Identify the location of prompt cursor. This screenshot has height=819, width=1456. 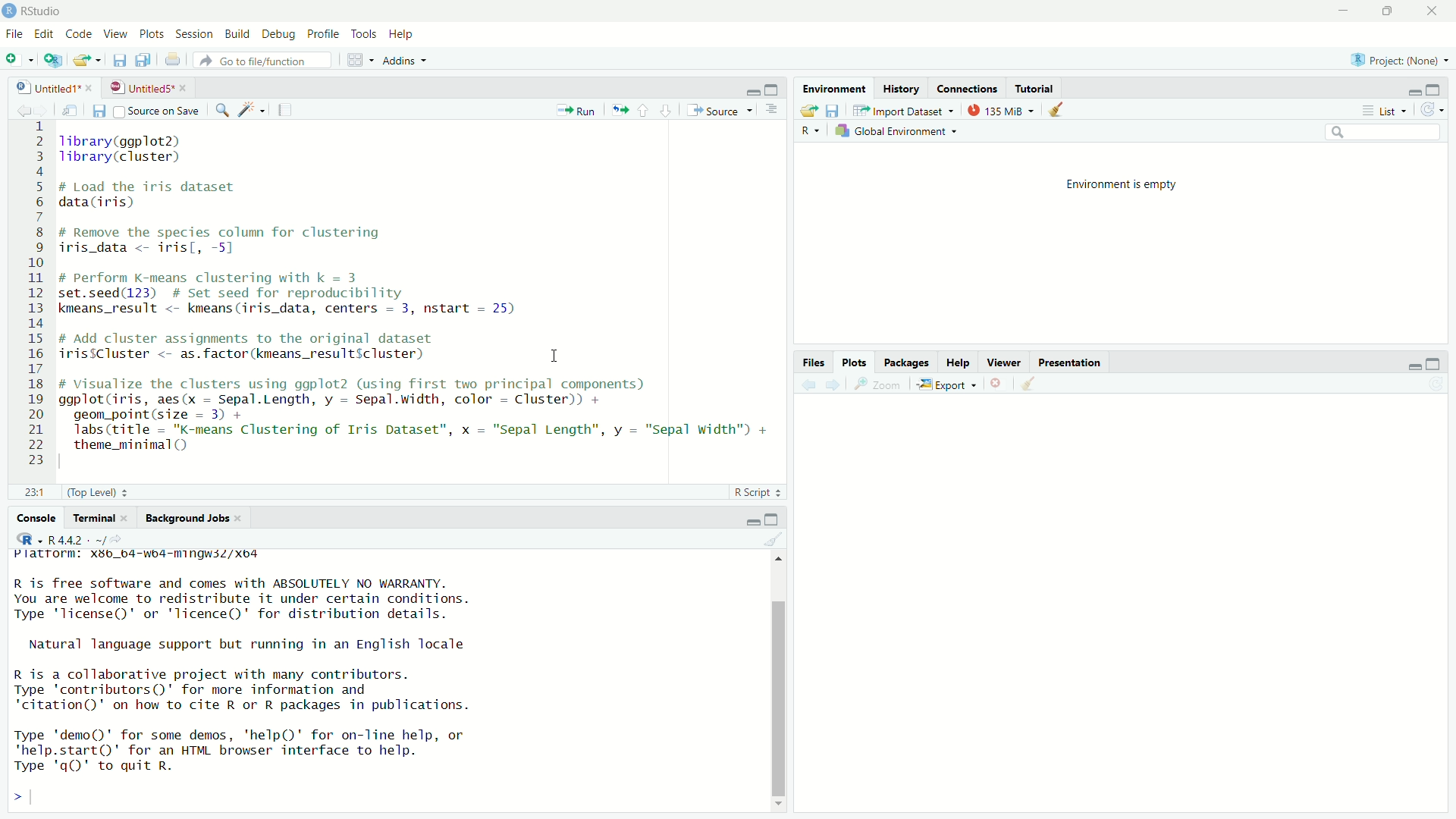
(13, 799).